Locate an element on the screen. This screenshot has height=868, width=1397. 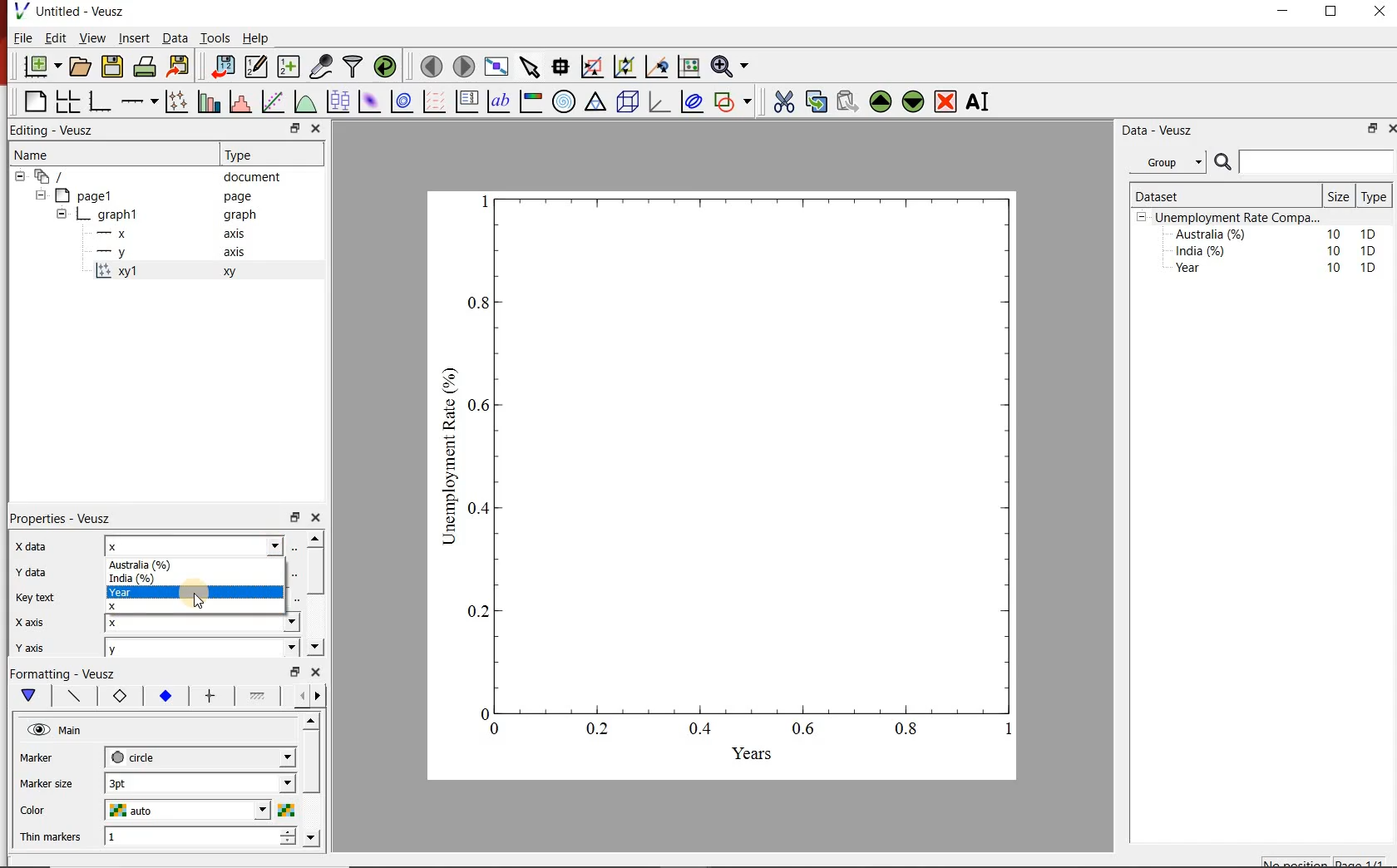
y data is located at coordinates (36, 572).